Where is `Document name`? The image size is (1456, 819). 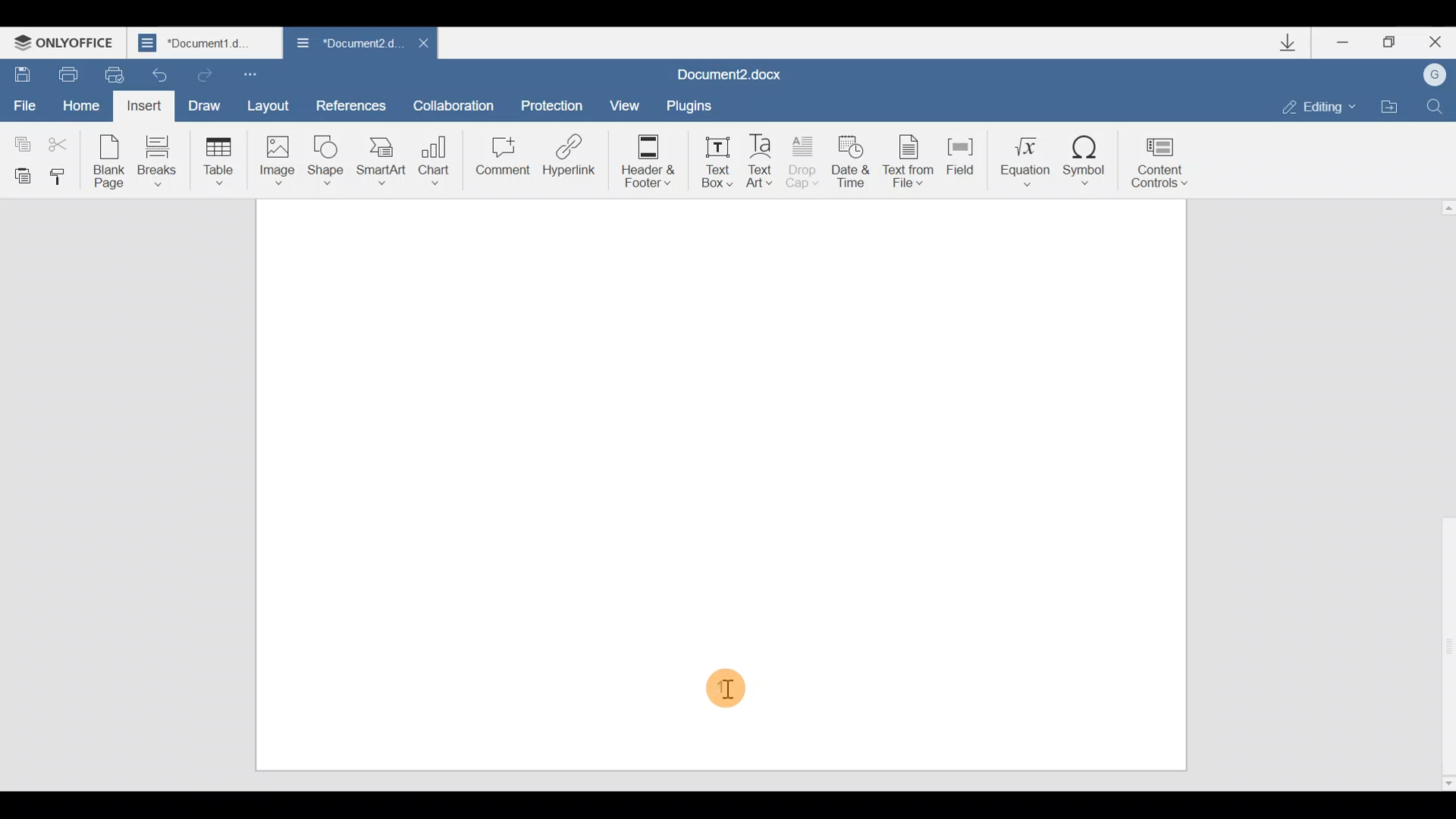 Document name is located at coordinates (742, 71).